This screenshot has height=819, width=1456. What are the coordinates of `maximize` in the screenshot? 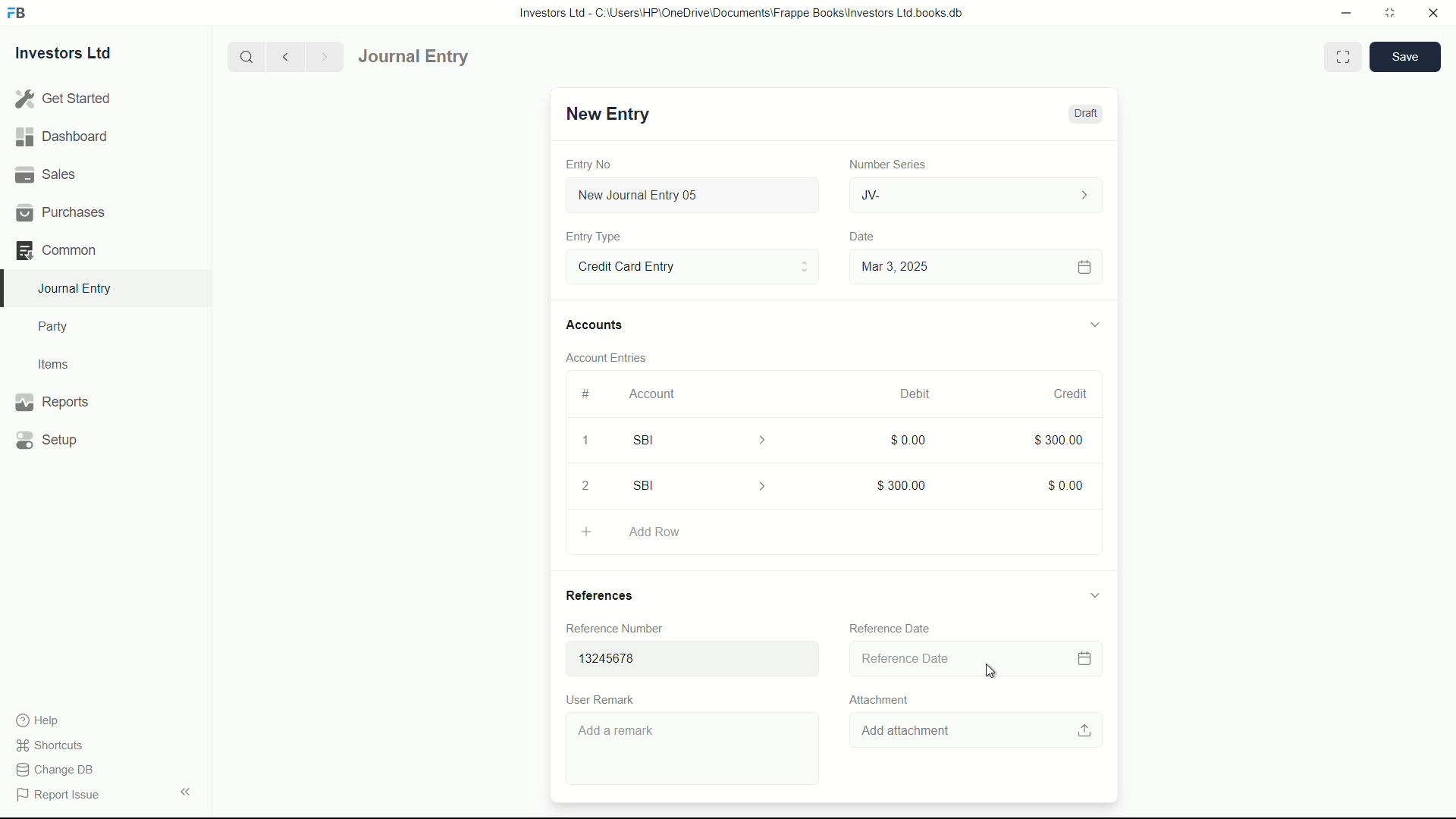 It's located at (1389, 11).